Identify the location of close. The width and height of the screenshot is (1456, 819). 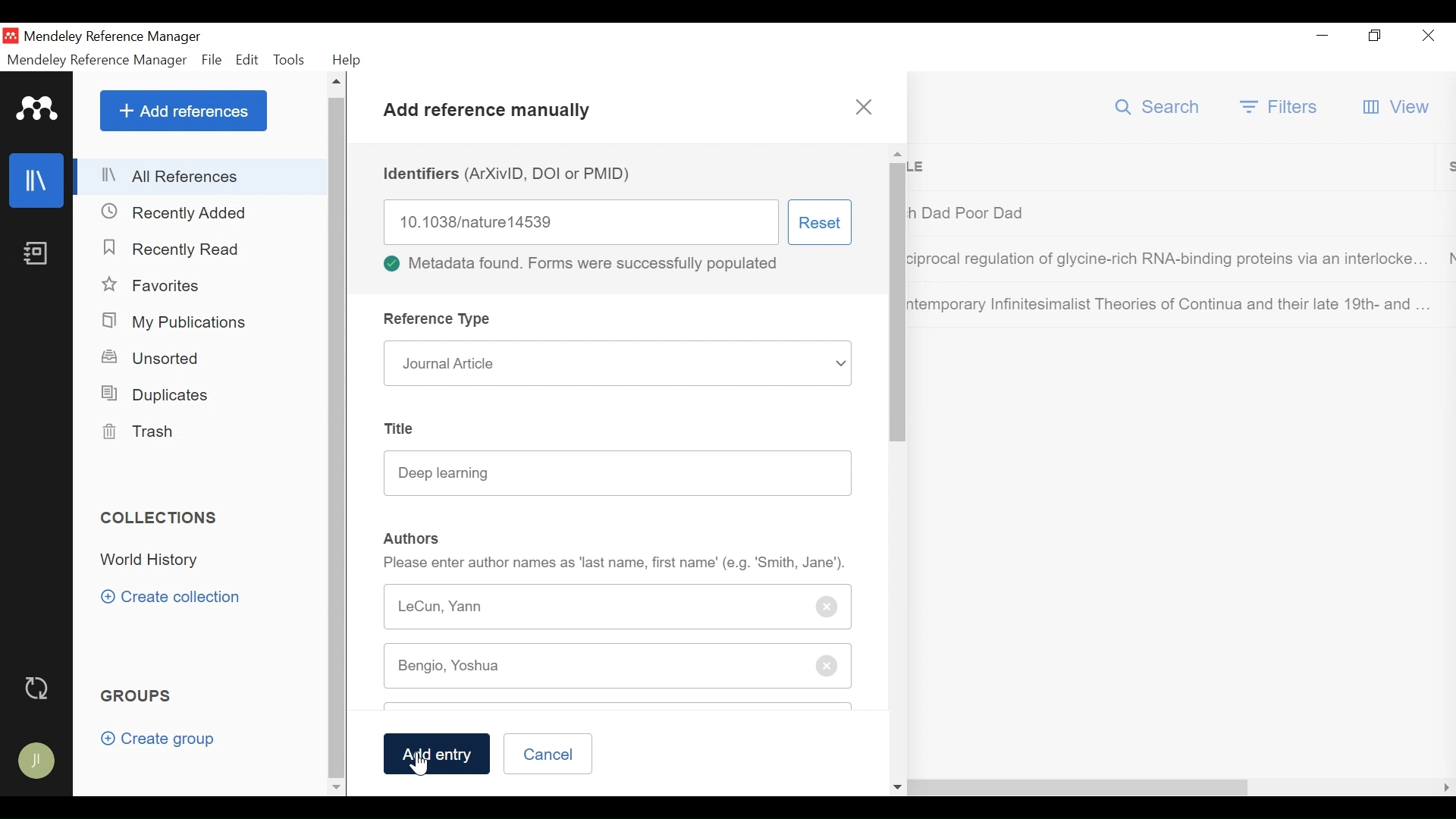
(867, 107).